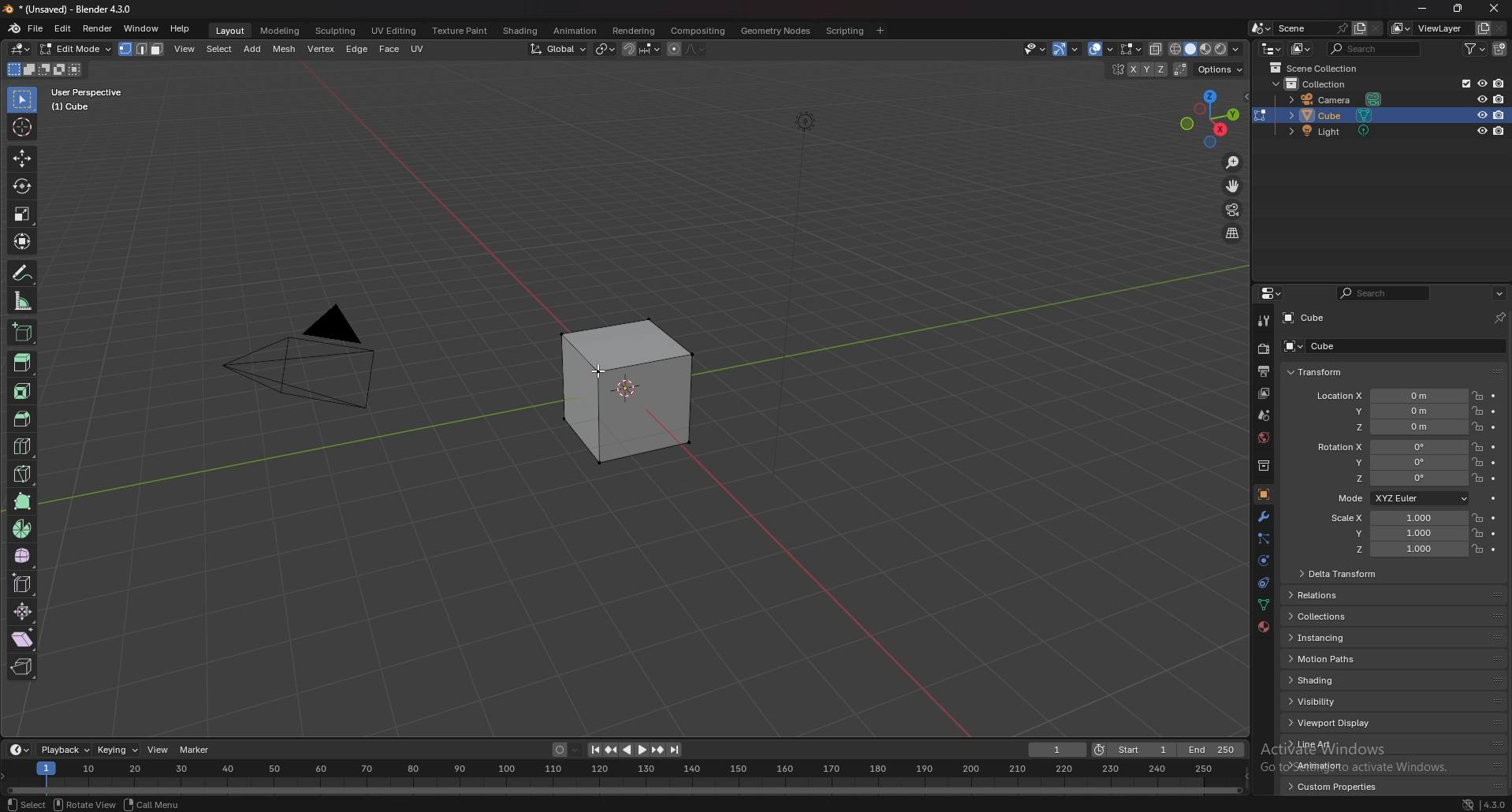 The height and width of the screenshot is (812, 1512). Describe the element at coordinates (879, 31) in the screenshot. I see `add workspace` at that location.